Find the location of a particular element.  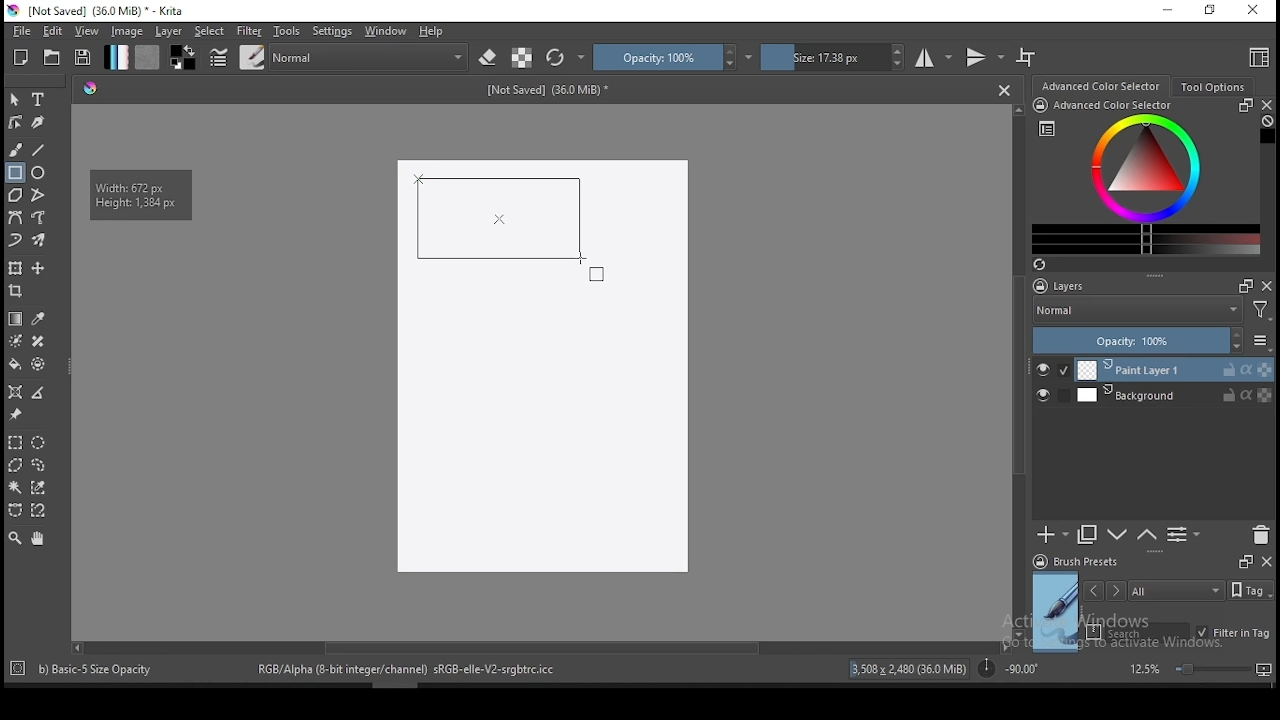

gradient fill is located at coordinates (116, 57).